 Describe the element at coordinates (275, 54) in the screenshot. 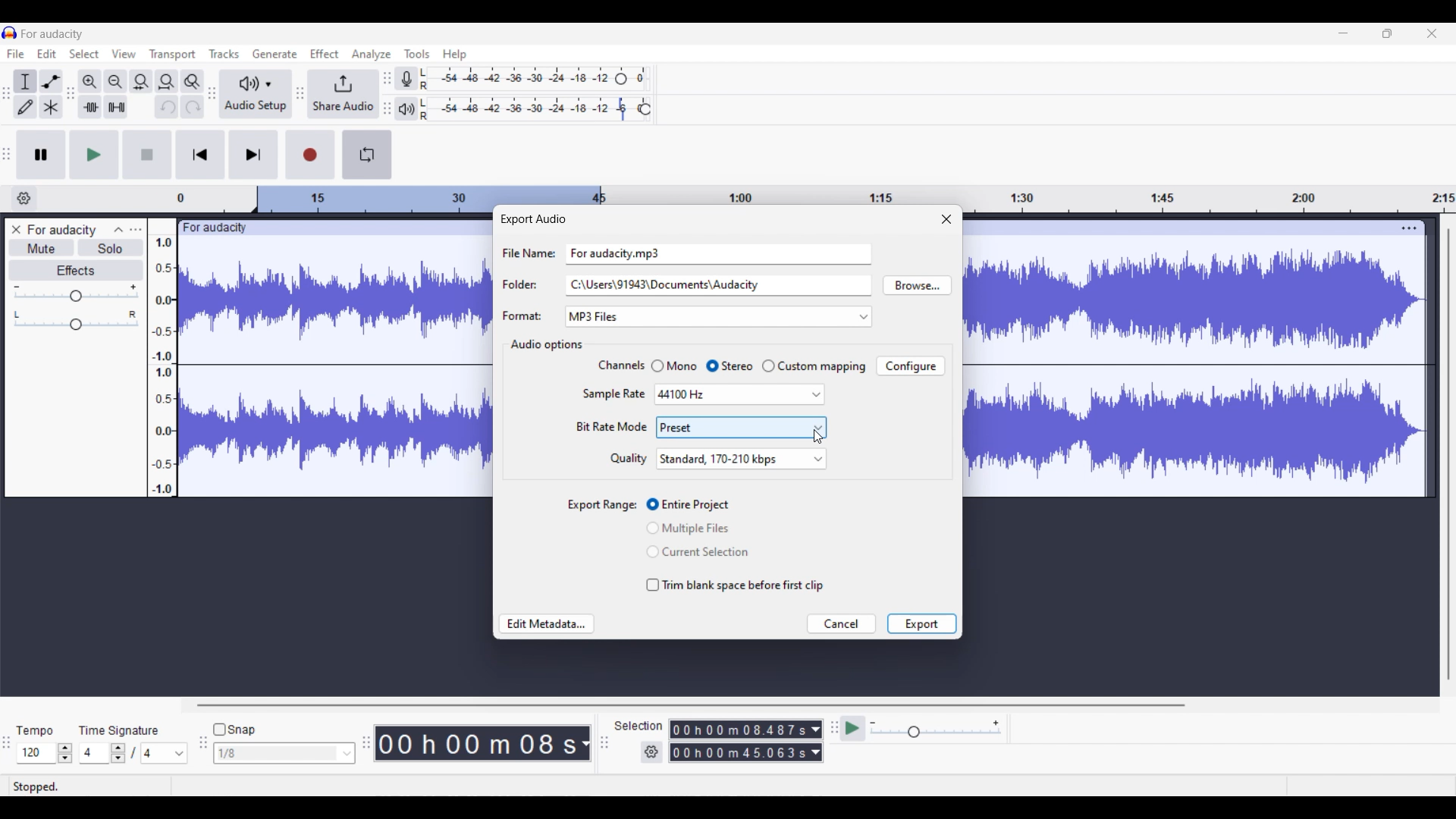

I see `Generate menu` at that location.